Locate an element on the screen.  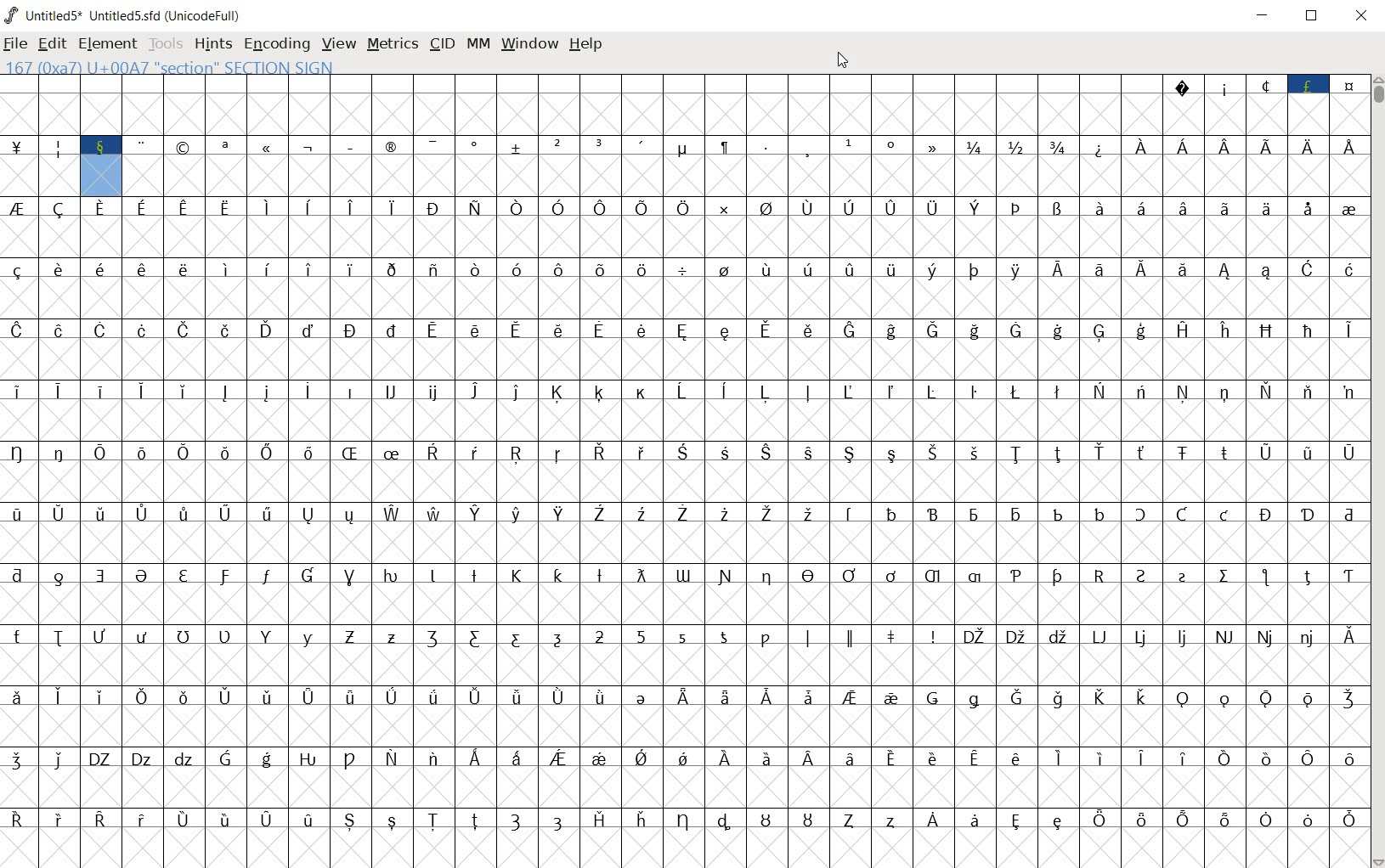
Latin extended characters is located at coordinates (370, 227).